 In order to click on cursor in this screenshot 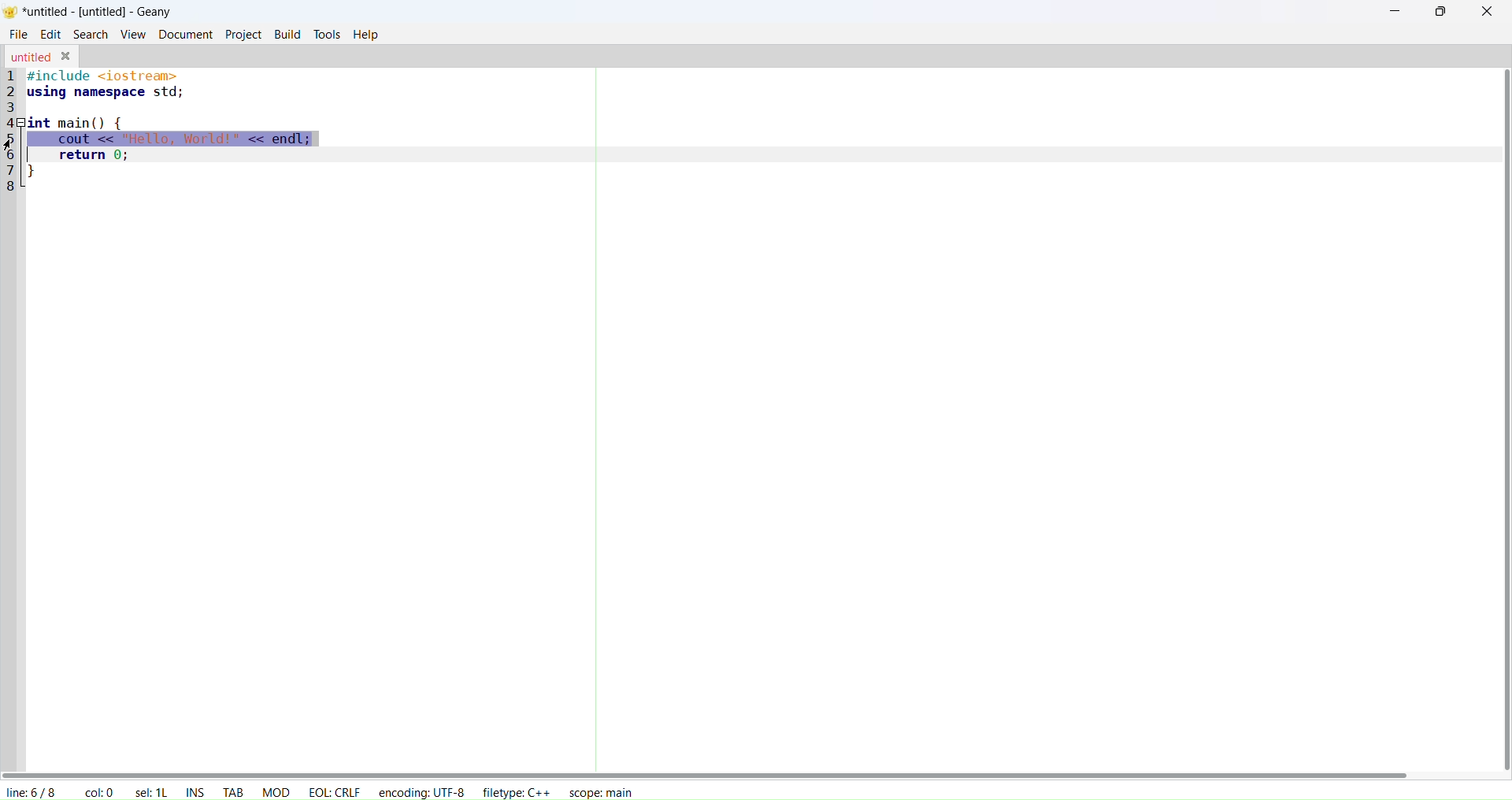, I will do `click(9, 144)`.